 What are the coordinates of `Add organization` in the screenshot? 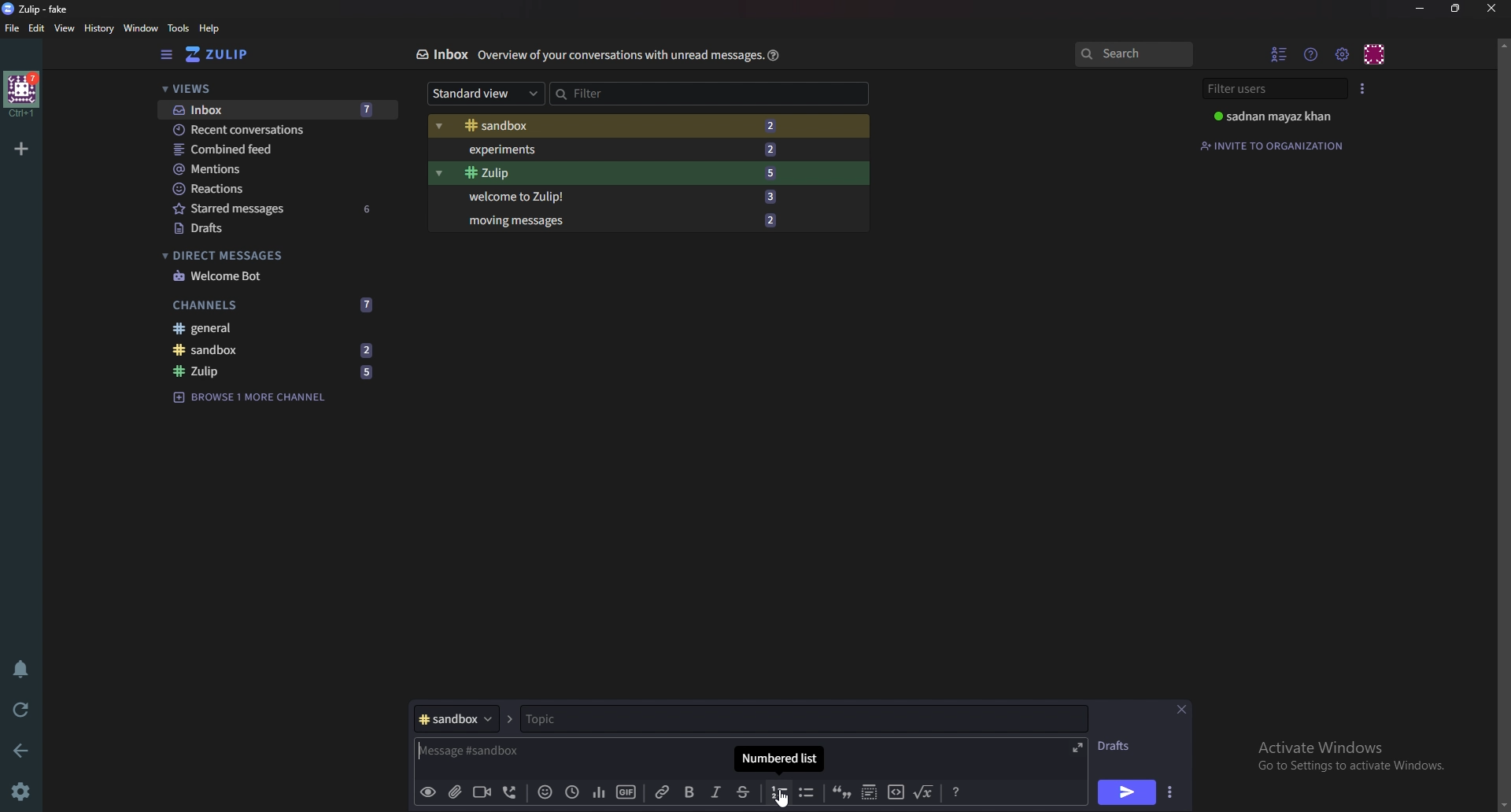 It's located at (23, 146).